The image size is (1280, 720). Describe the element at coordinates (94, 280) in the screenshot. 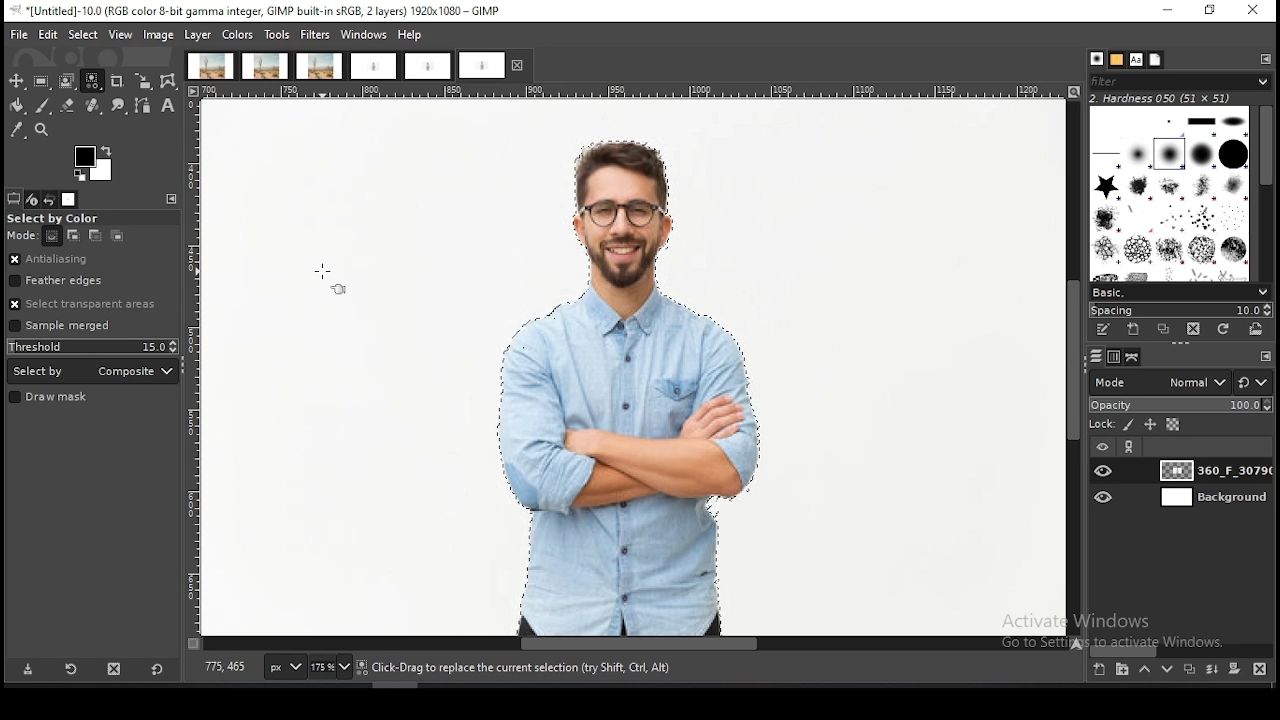

I see `feather edges` at that location.